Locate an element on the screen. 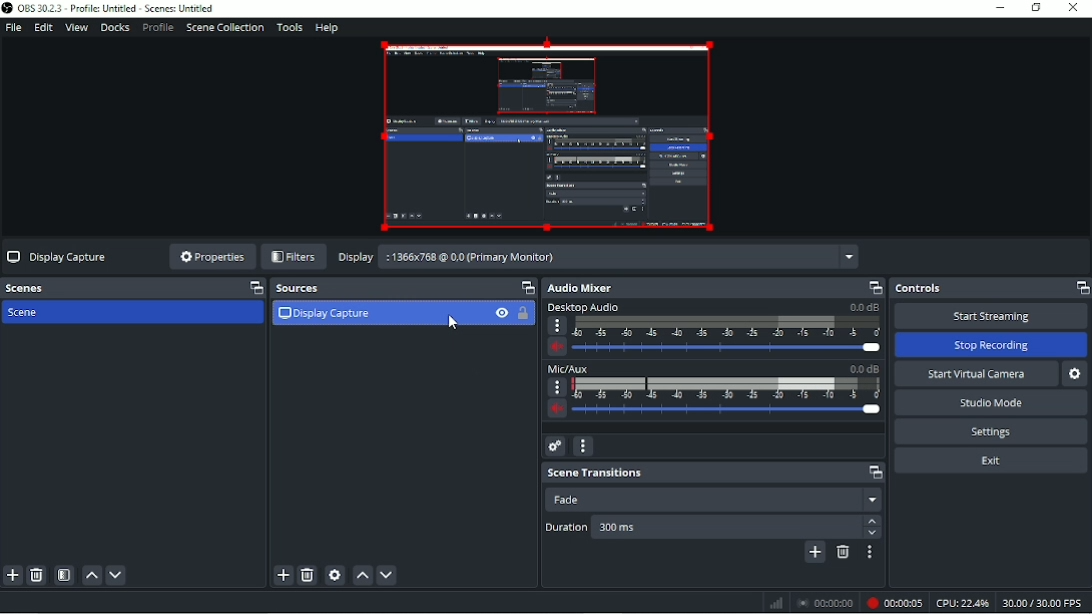  Audio mixer is located at coordinates (714, 287).